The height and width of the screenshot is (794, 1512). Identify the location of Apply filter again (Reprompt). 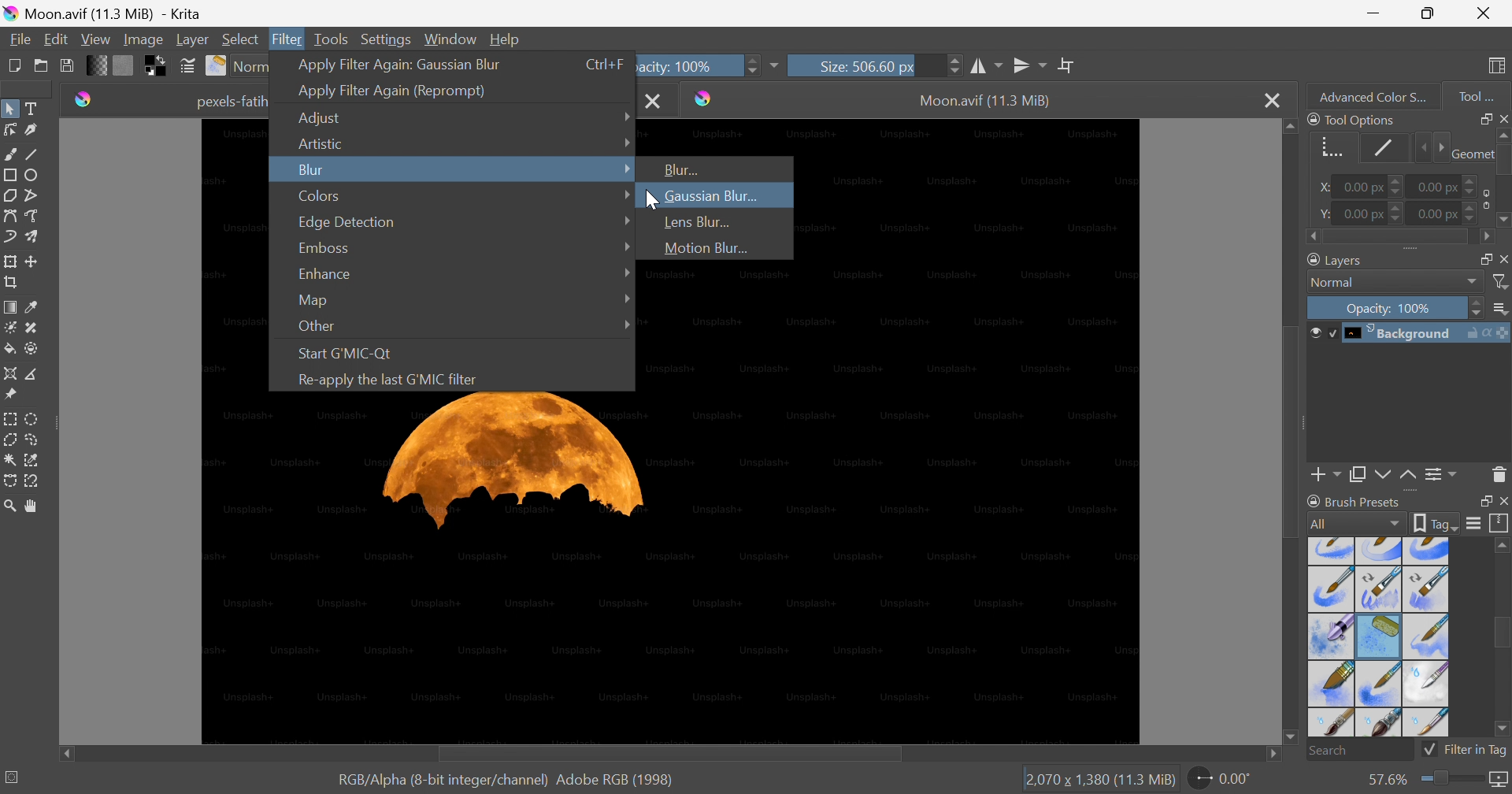
(395, 91).